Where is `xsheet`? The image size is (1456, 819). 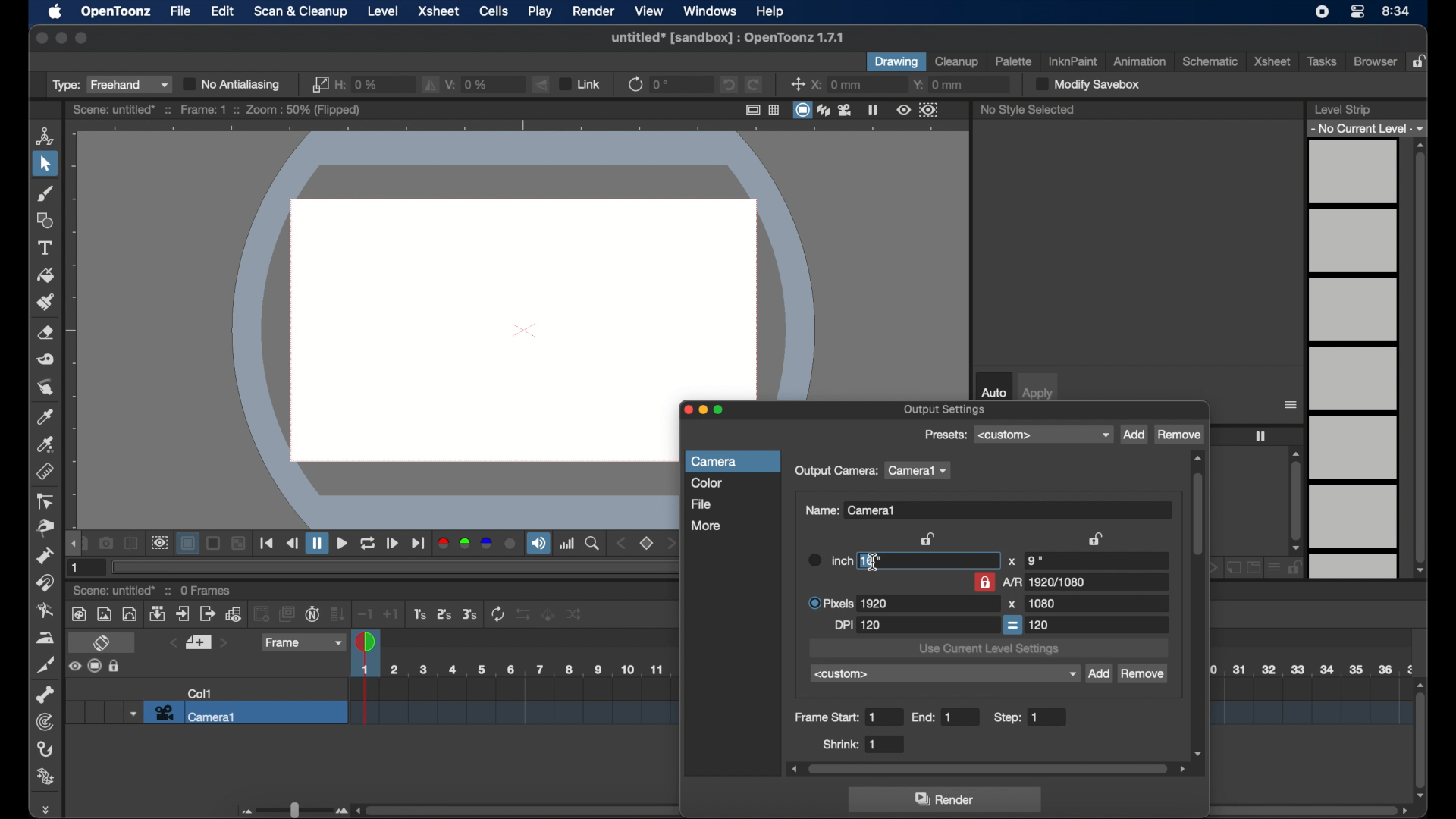
xsheet is located at coordinates (438, 11).